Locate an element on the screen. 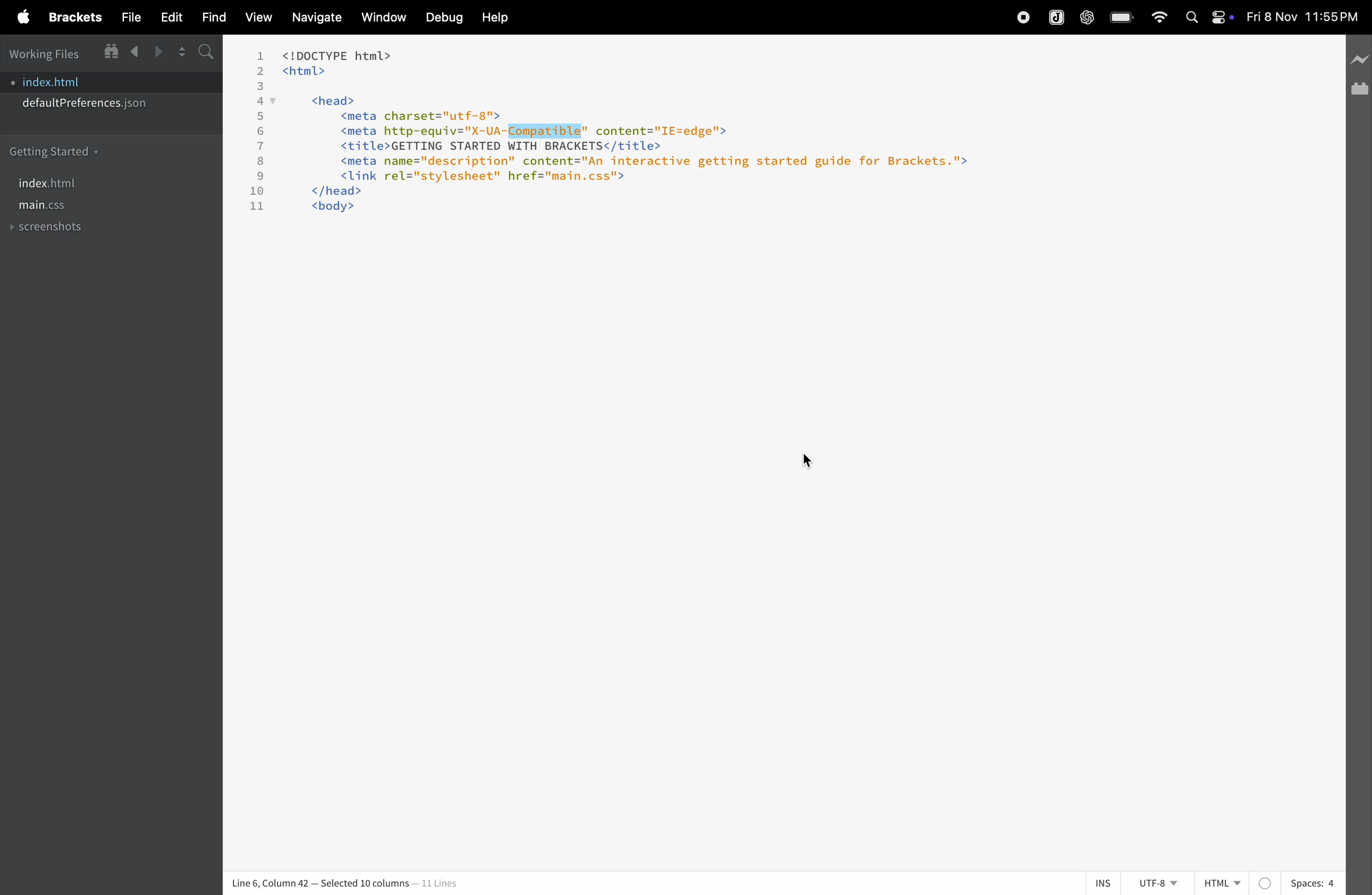  live preview is located at coordinates (1360, 61).